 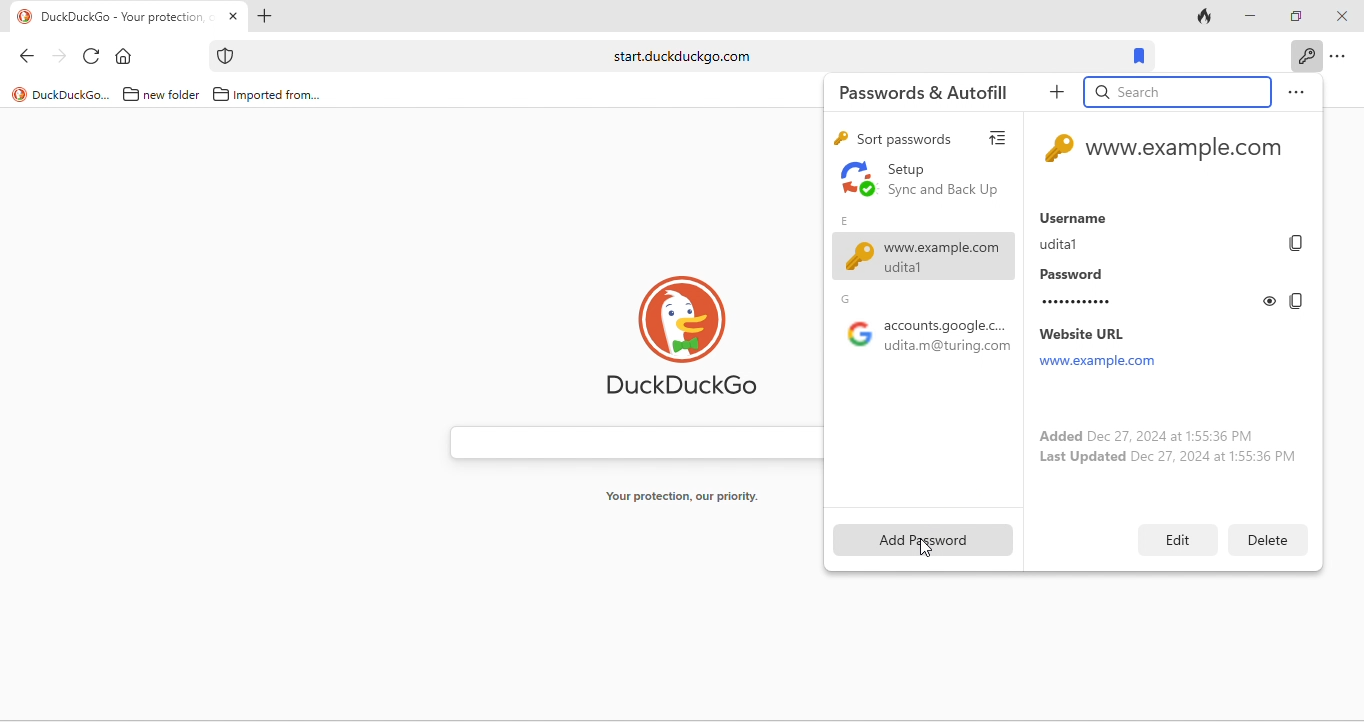 I want to click on search, so click(x=1178, y=94).